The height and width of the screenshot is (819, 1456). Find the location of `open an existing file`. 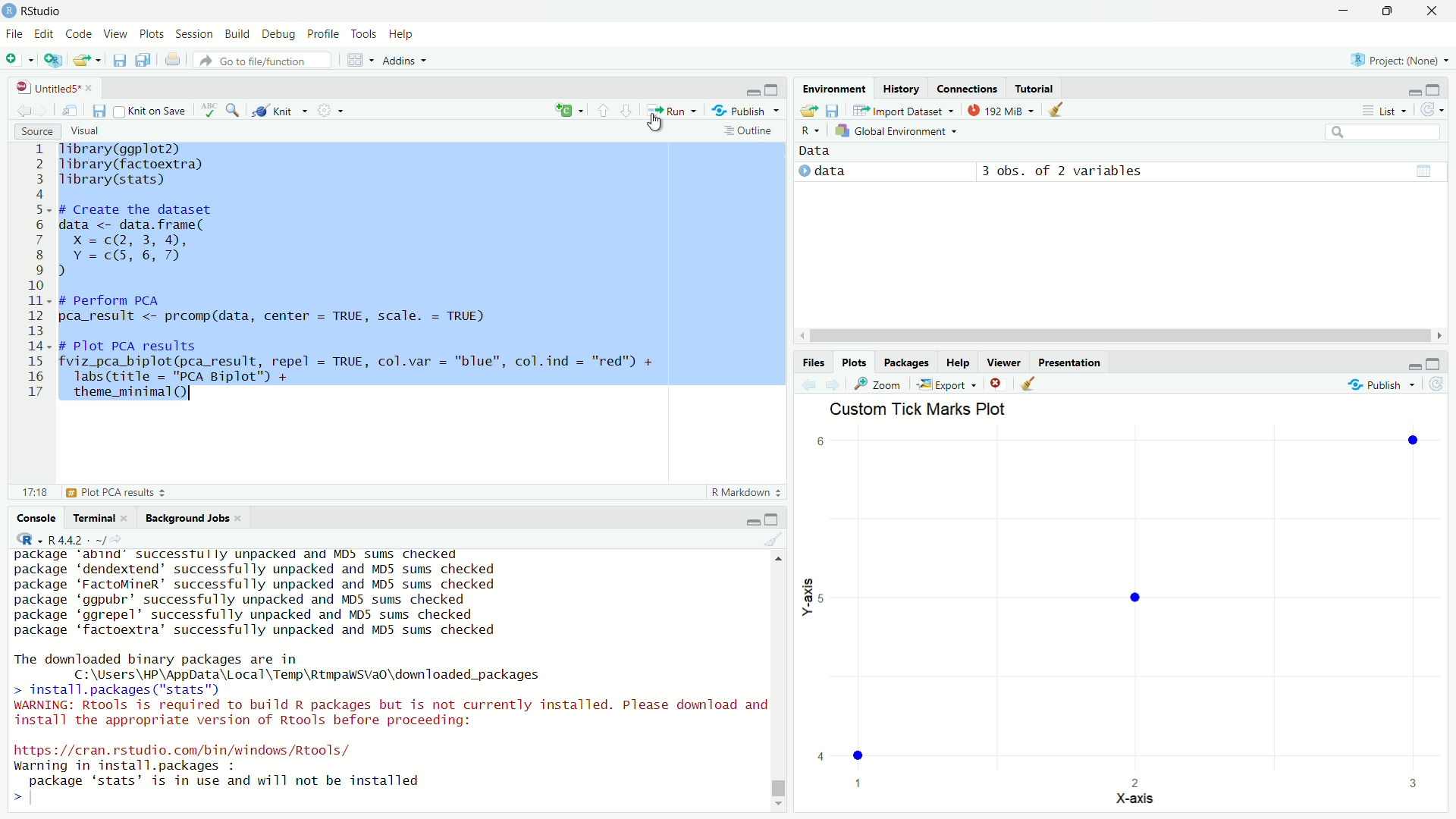

open an existing file is located at coordinates (87, 60).